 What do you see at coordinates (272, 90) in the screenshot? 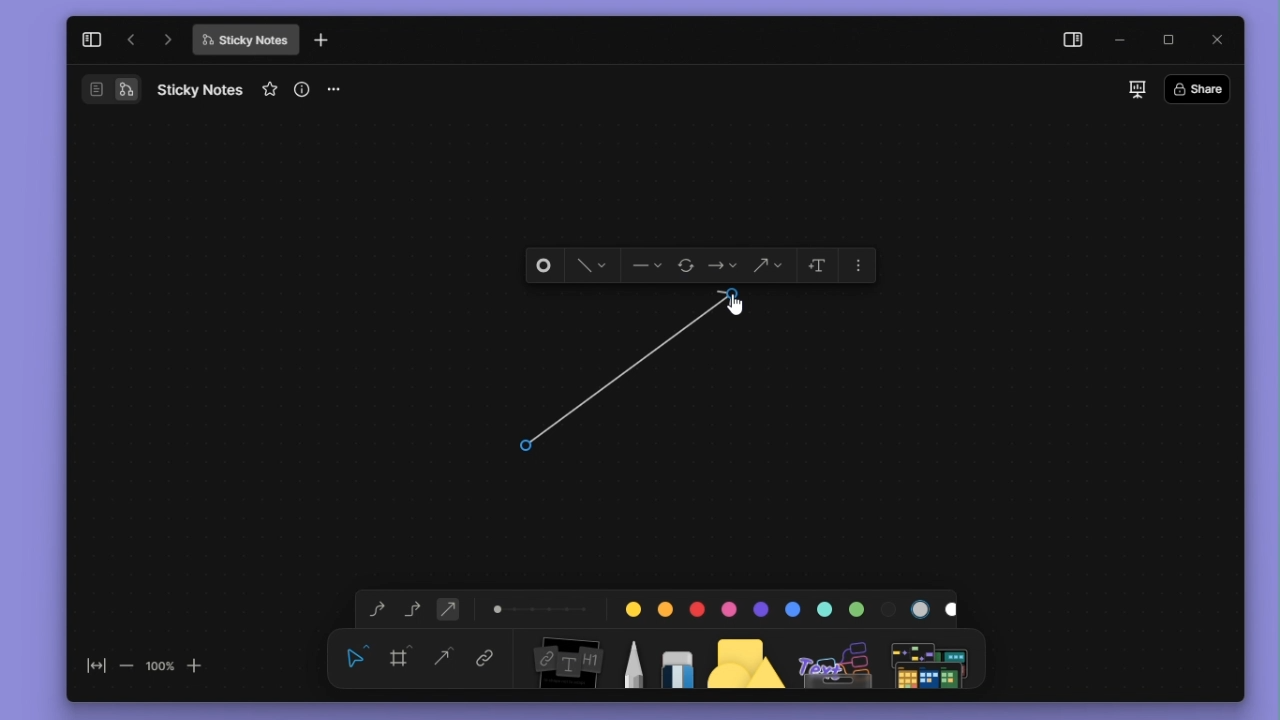
I see `favourite` at bounding box center [272, 90].